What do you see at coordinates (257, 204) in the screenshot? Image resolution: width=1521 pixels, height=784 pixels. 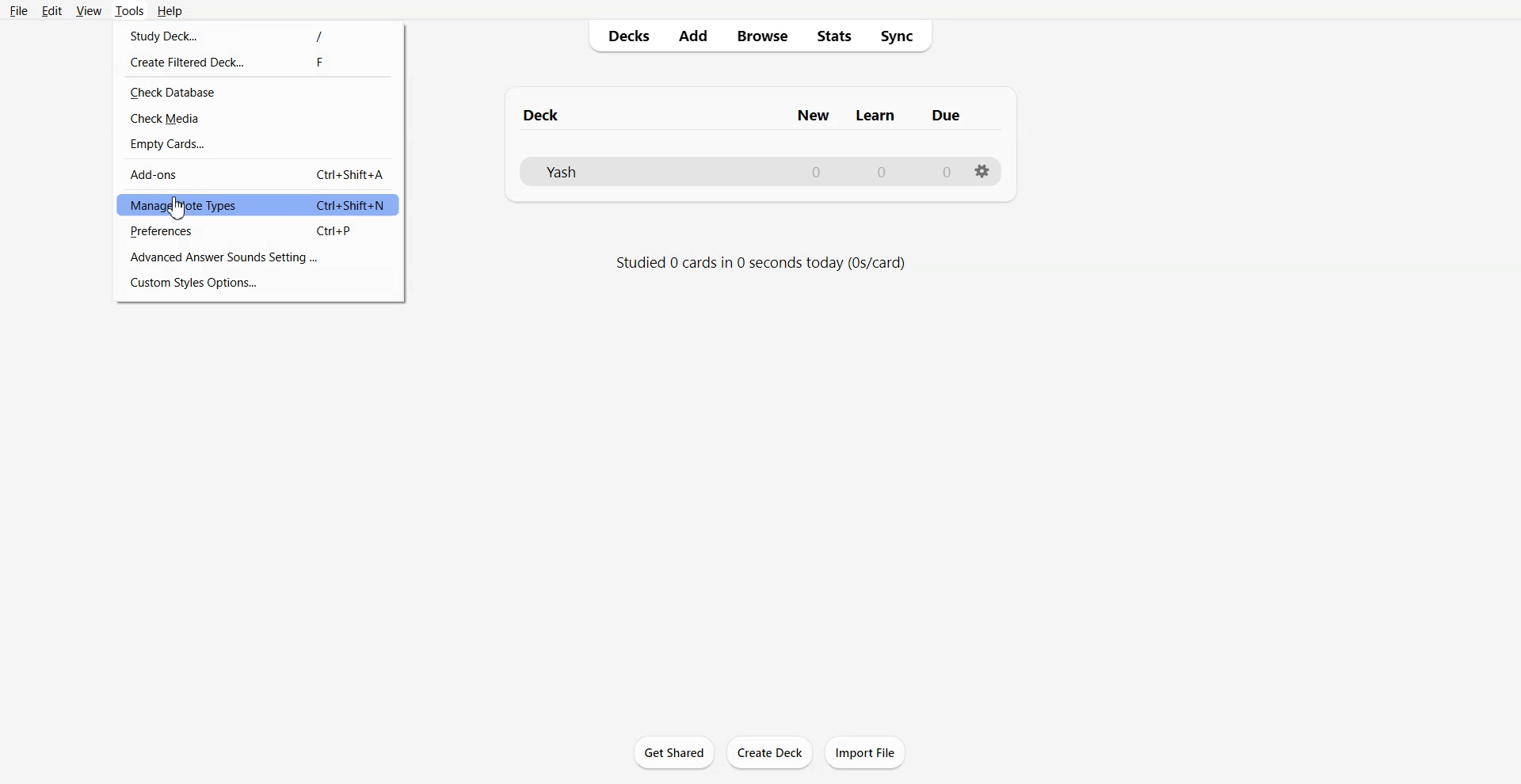 I see `Manage Note Types` at bounding box center [257, 204].